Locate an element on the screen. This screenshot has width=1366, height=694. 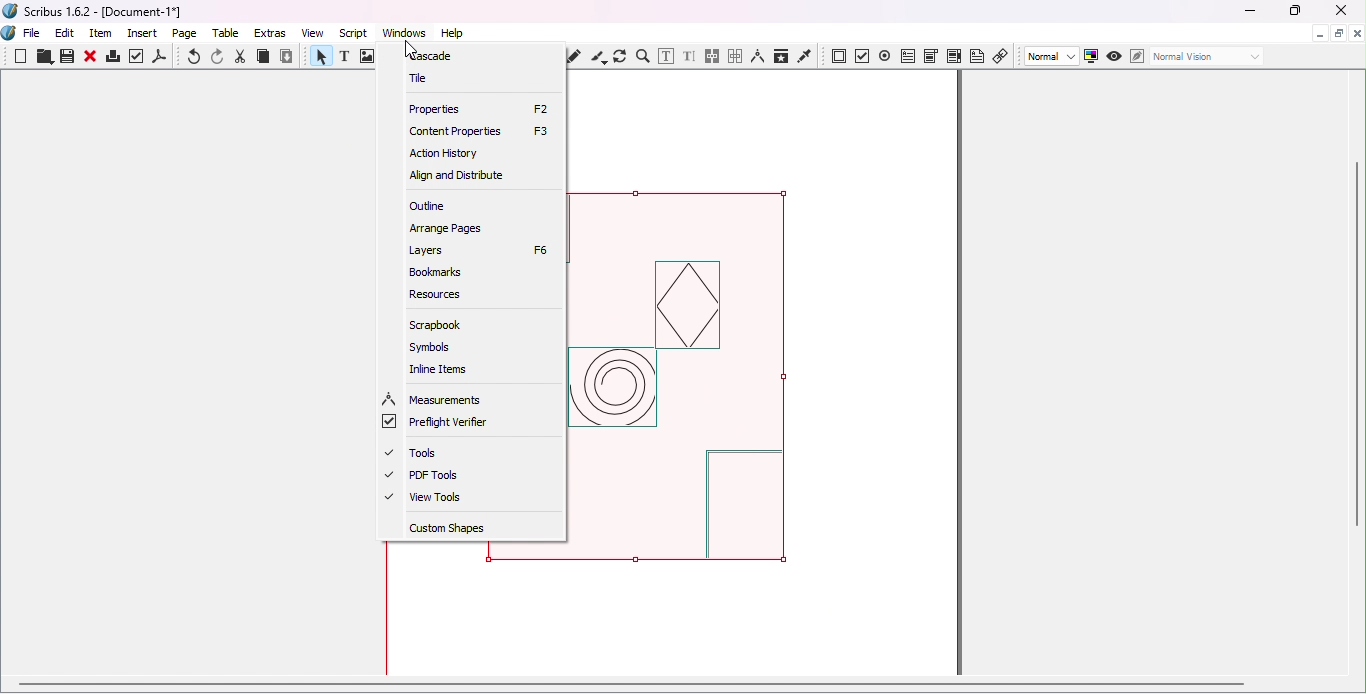
Select the visual appearance of the display is located at coordinates (1206, 57).